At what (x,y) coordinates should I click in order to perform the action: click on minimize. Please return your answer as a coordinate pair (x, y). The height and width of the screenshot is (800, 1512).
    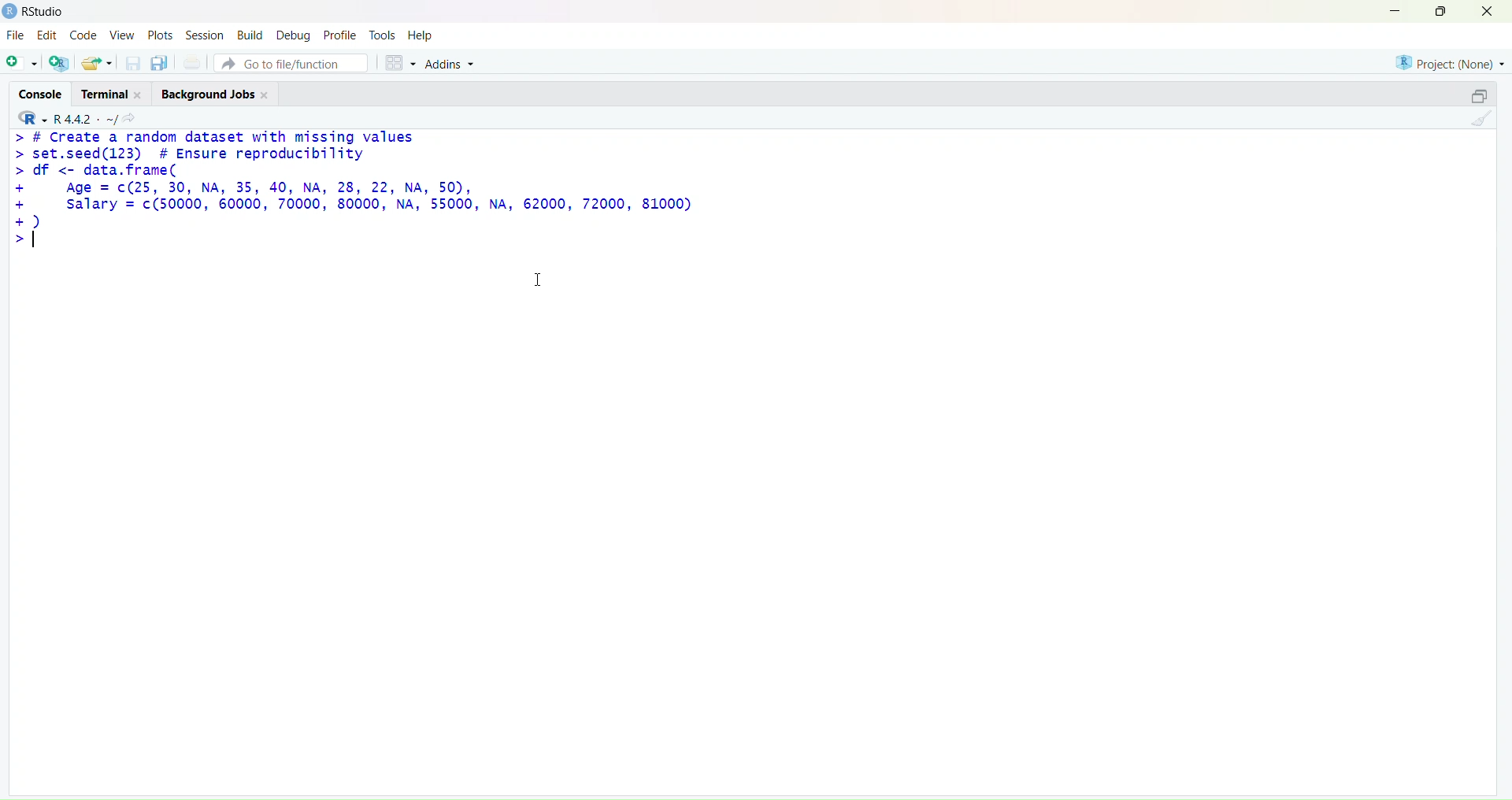
    Looking at the image, I should click on (1390, 10).